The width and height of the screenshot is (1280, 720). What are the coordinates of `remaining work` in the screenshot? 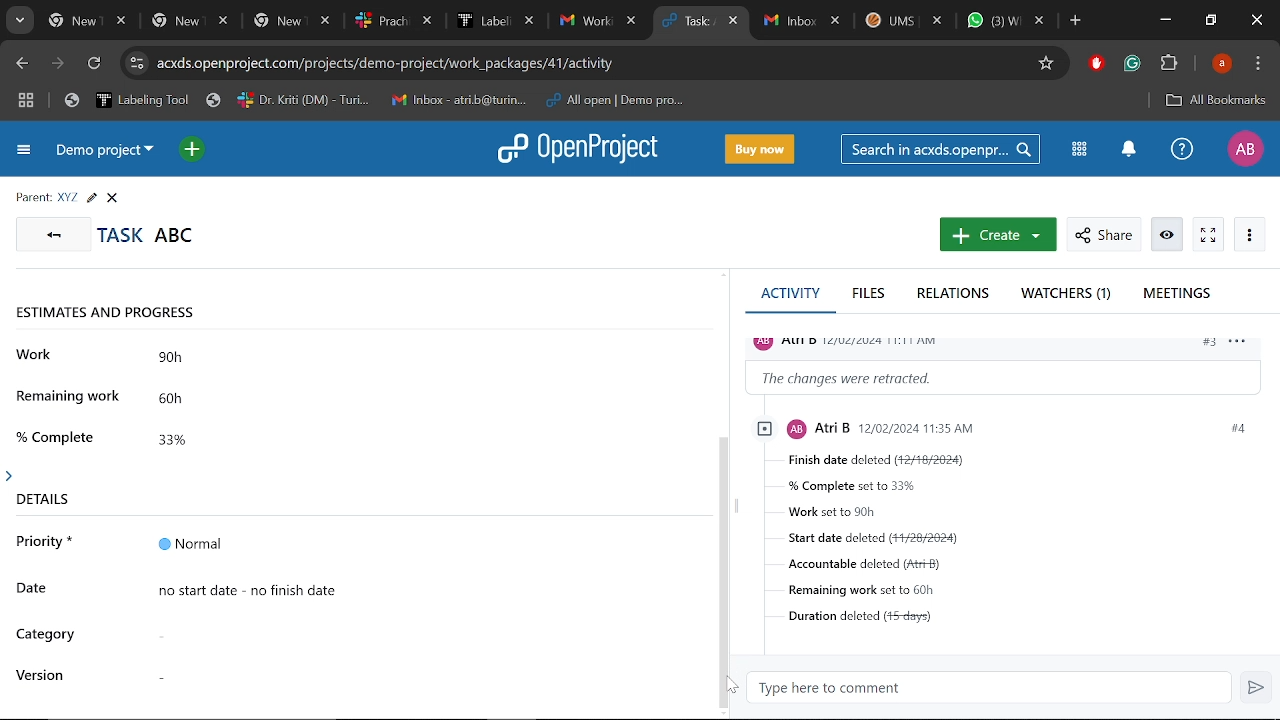 It's located at (71, 400).